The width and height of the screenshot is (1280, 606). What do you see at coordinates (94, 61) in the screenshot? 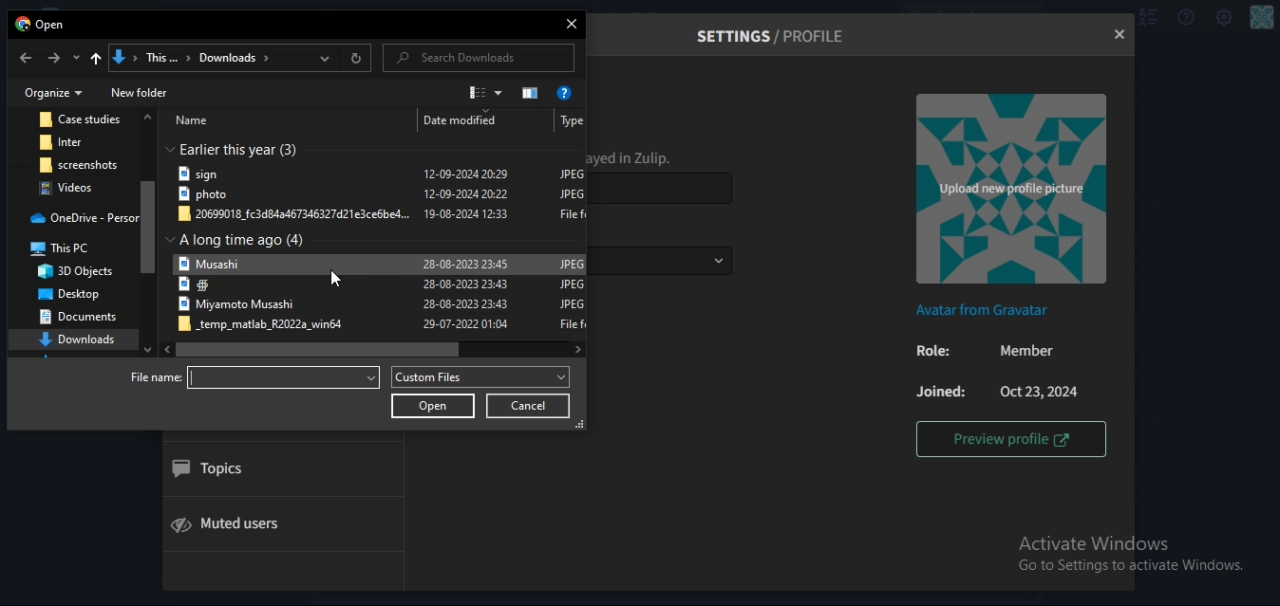
I see `icon` at bounding box center [94, 61].